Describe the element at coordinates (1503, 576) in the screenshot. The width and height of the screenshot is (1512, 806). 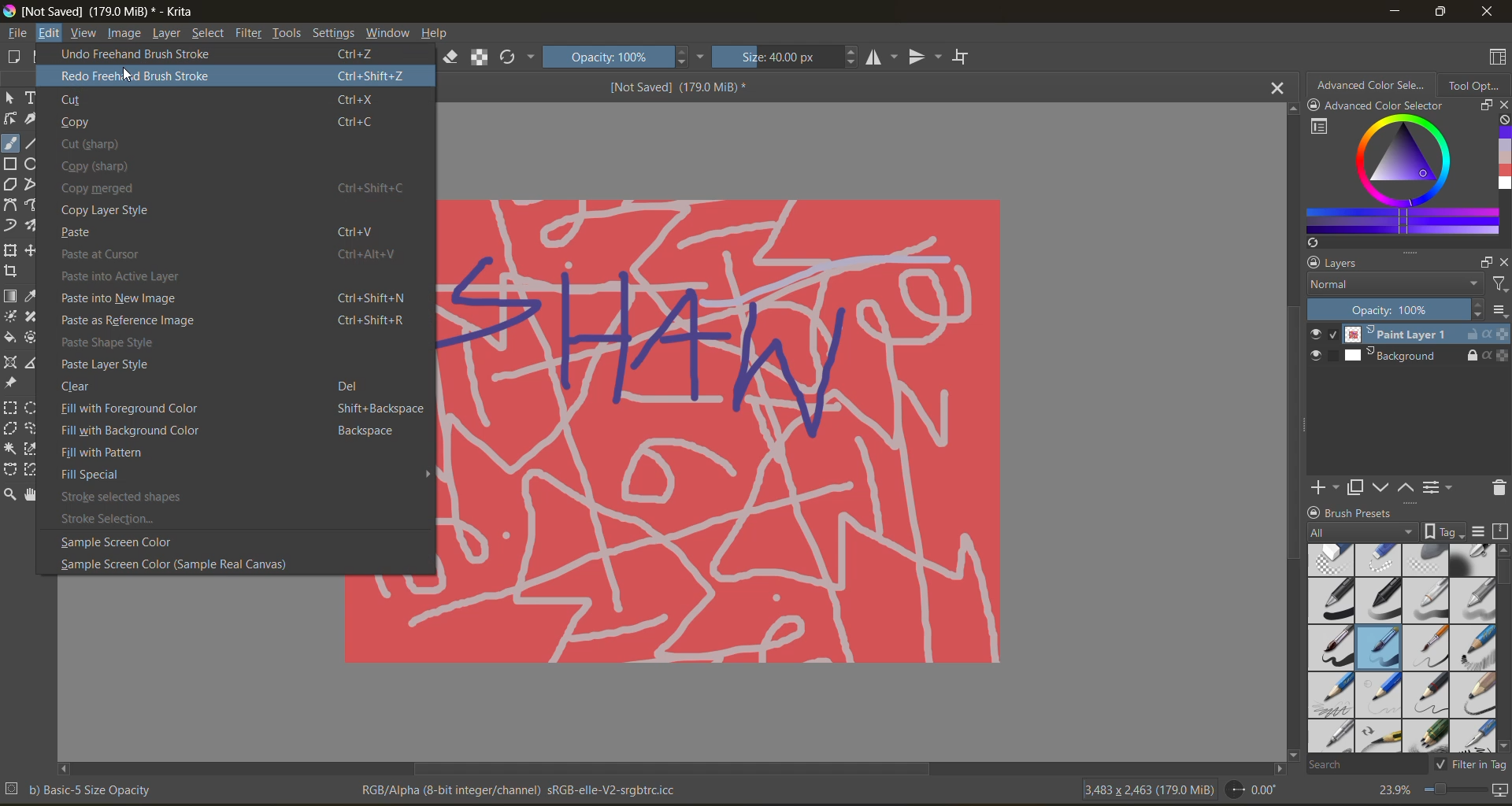
I see `vertical scroll bar` at that location.